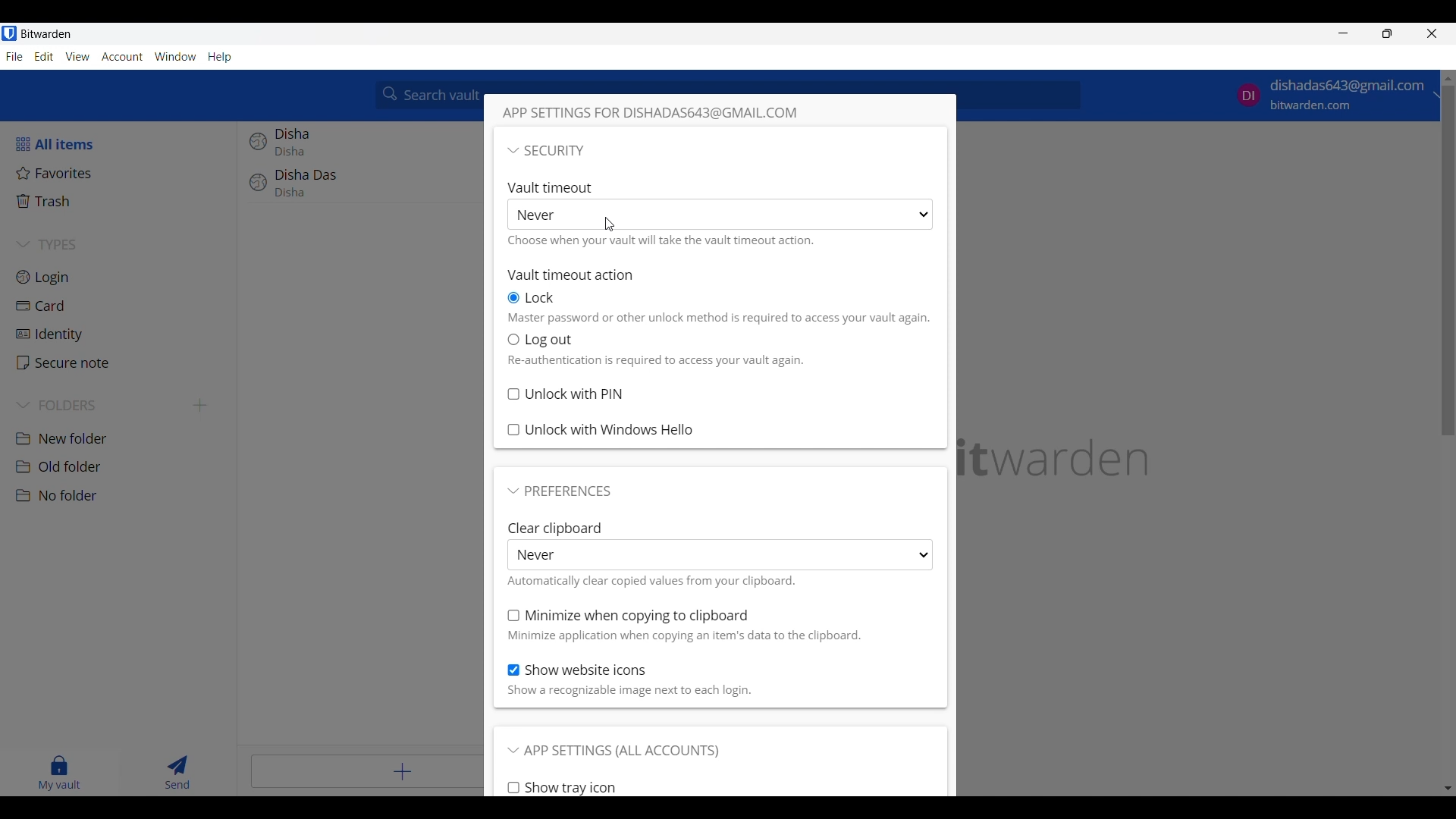  Describe the element at coordinates (121, 466) in the screenshot. I see `Old folder` at that location.